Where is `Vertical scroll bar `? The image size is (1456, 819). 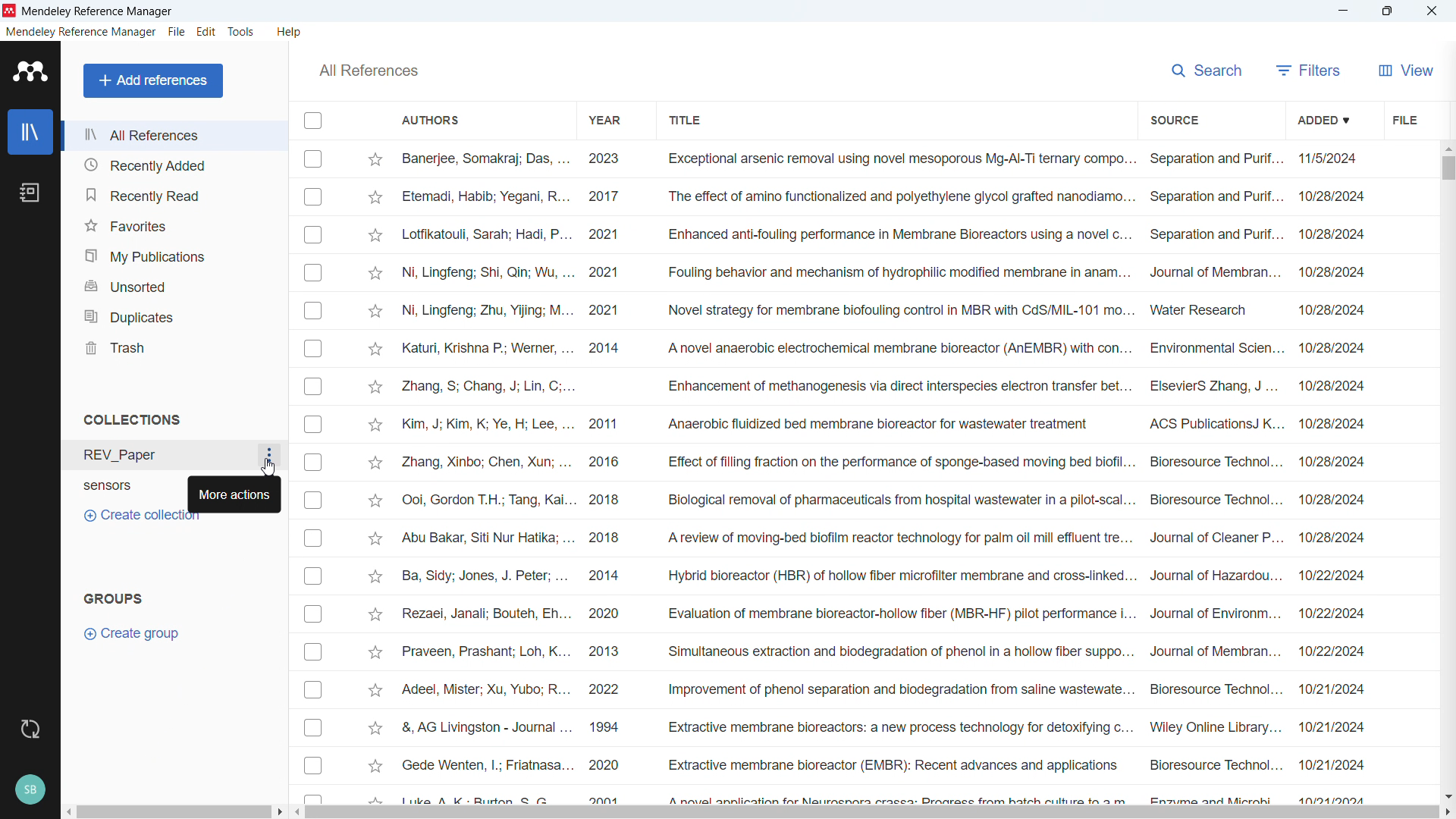 Vertical scroll bar  is located at coordinates (1445, 167).